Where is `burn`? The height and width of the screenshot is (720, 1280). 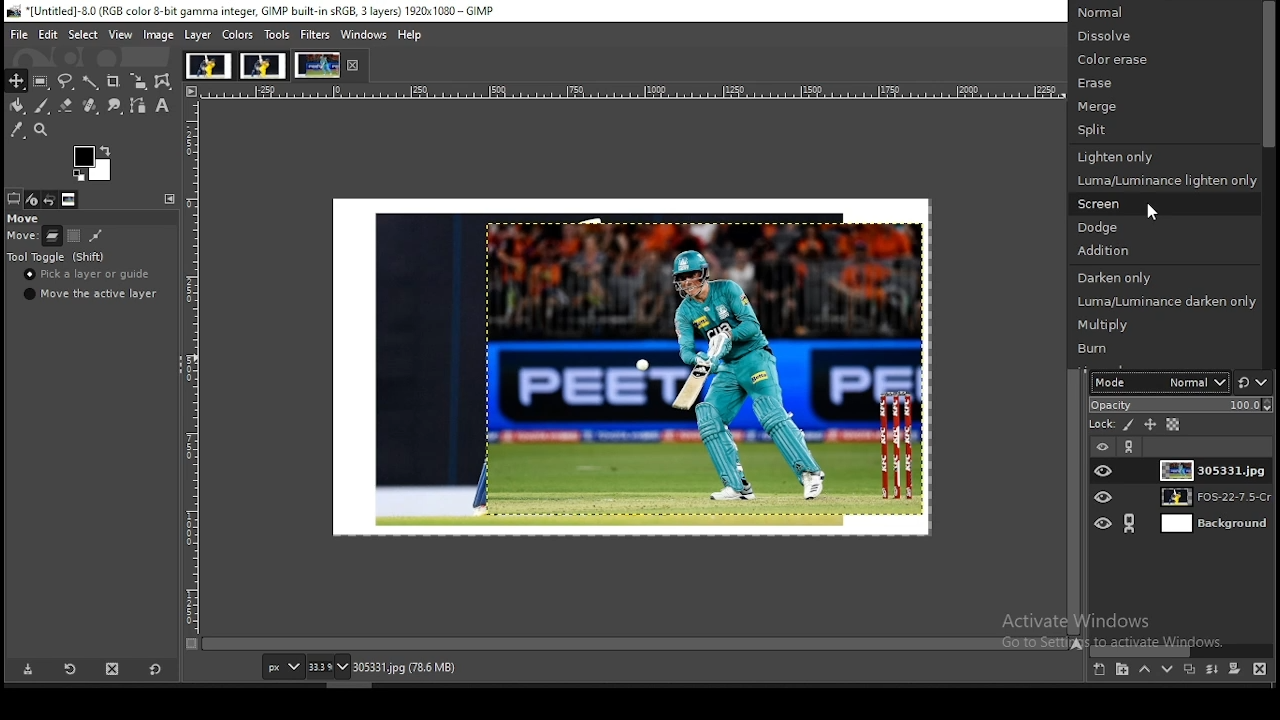
burn is located at coordinates (1160, 348).